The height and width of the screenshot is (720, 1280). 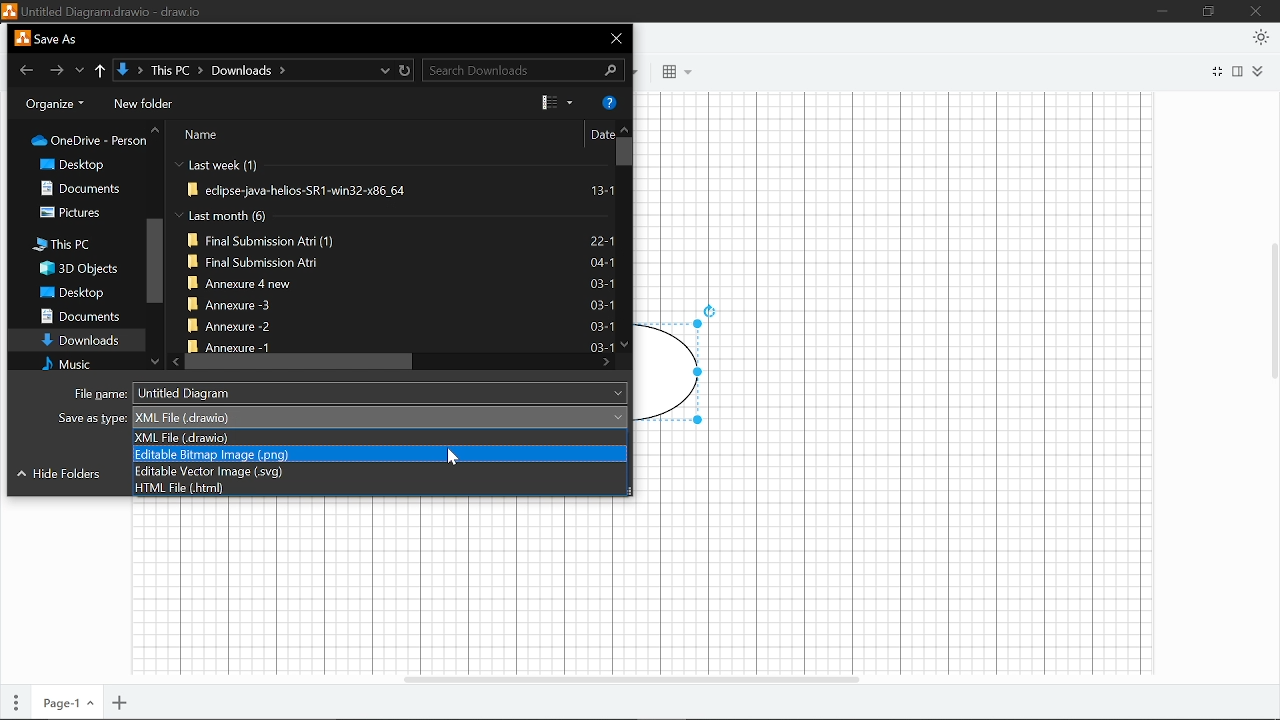 What do you see at coordinates (1165, 11) in the screenshot?
I see `minimize` at bounding box center [1165, 11].